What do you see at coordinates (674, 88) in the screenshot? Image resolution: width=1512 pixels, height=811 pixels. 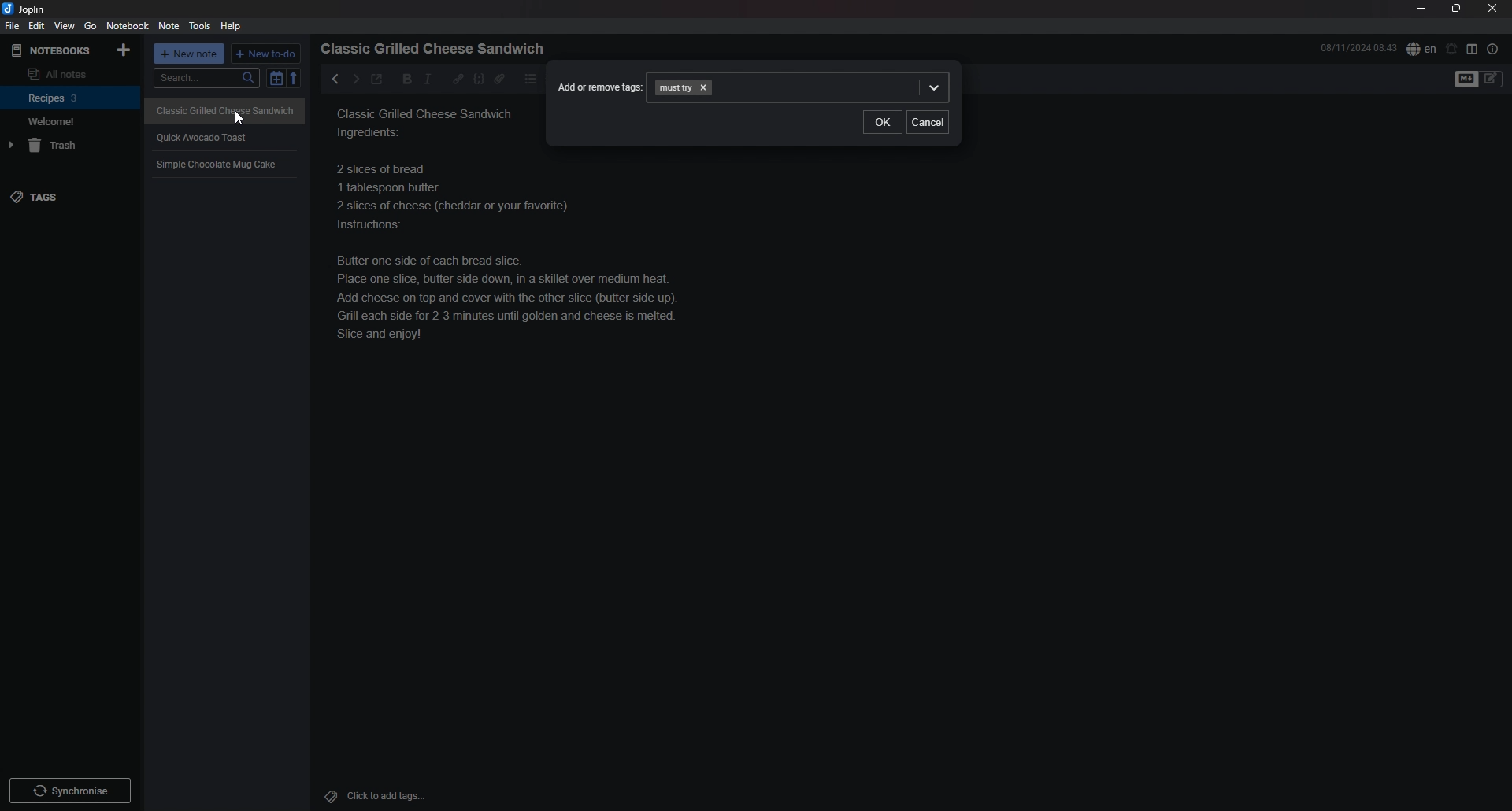 I see `tag` at bounding box center [674, 88].